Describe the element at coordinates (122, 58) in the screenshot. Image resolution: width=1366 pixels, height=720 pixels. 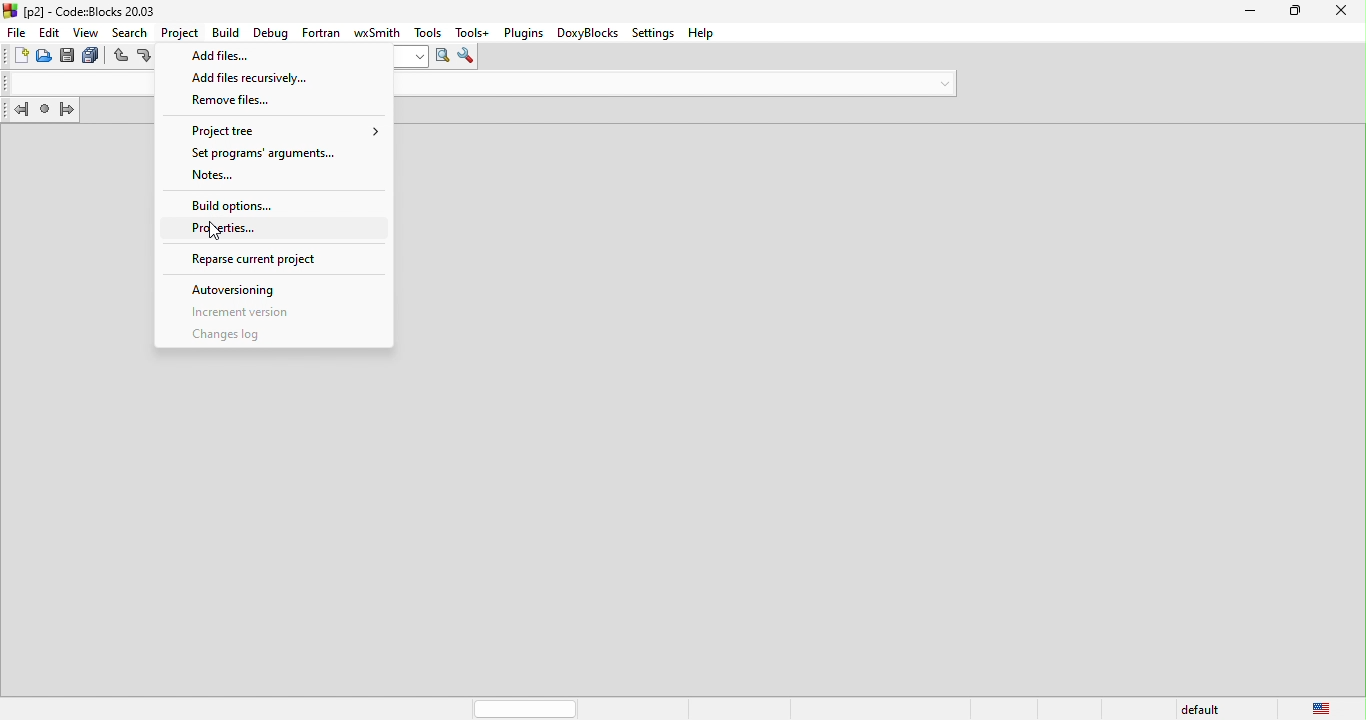
I see `undo` at that location.